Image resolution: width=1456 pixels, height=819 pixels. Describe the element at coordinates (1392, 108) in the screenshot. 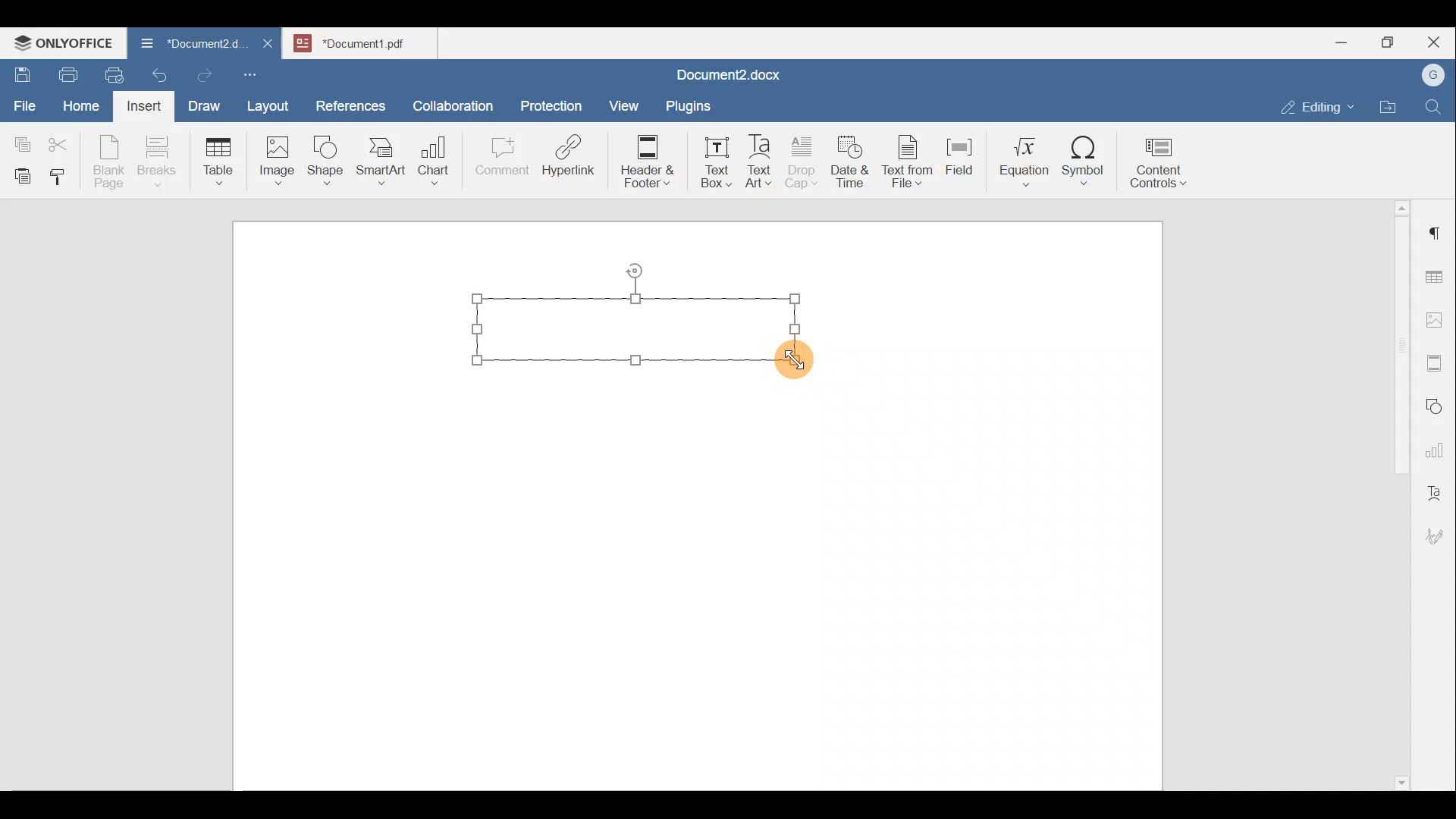

I see `Open file location` at that location.